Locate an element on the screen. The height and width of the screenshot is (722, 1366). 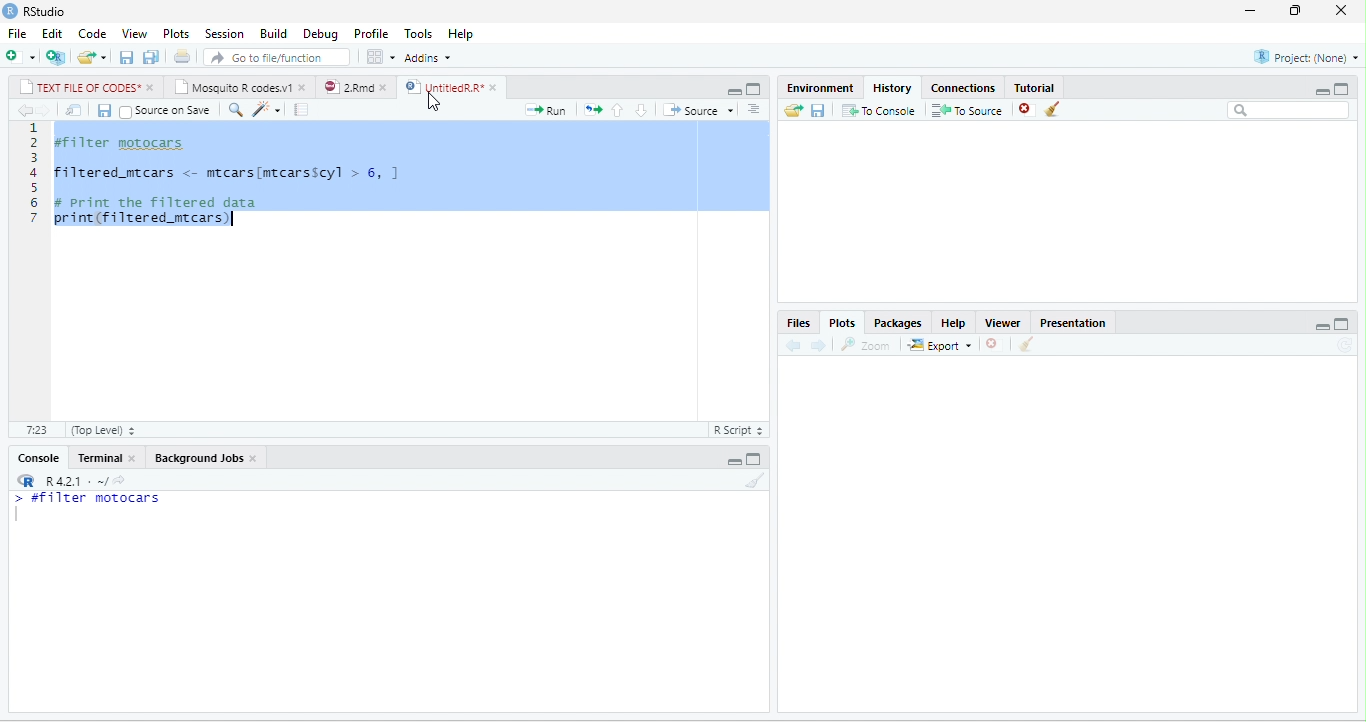
Presentation is located at coordinates (1072, 323).